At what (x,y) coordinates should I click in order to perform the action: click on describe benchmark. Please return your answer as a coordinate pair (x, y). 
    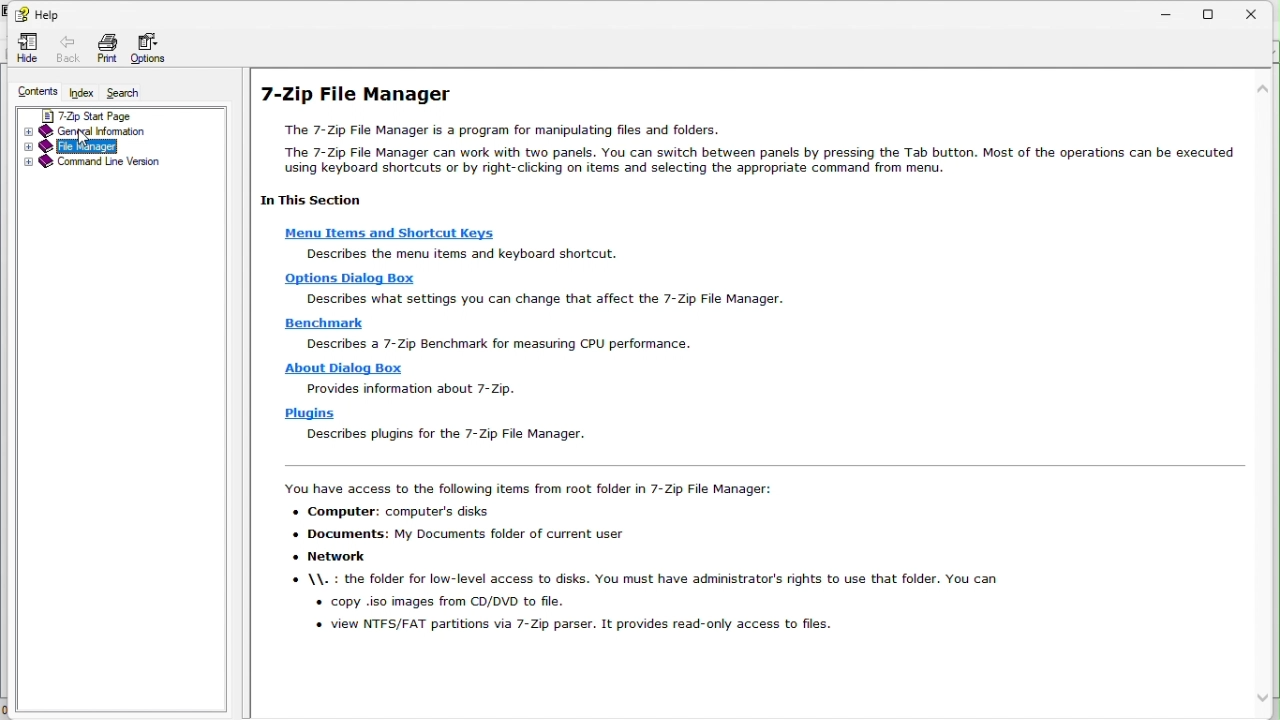
    Looking at the image, I should click on (493, 345).